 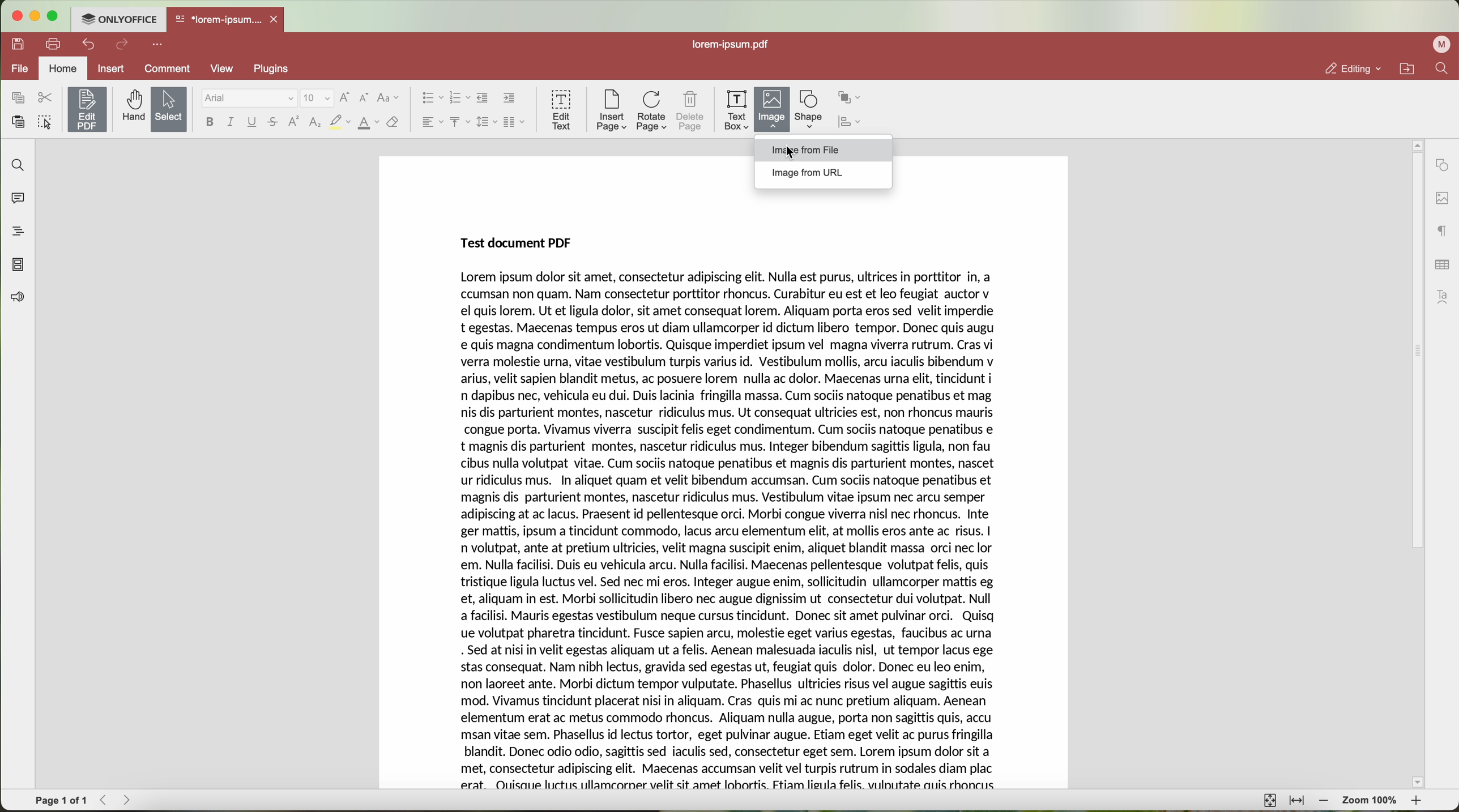 I want to click on comments, so click(x=15, y=196).